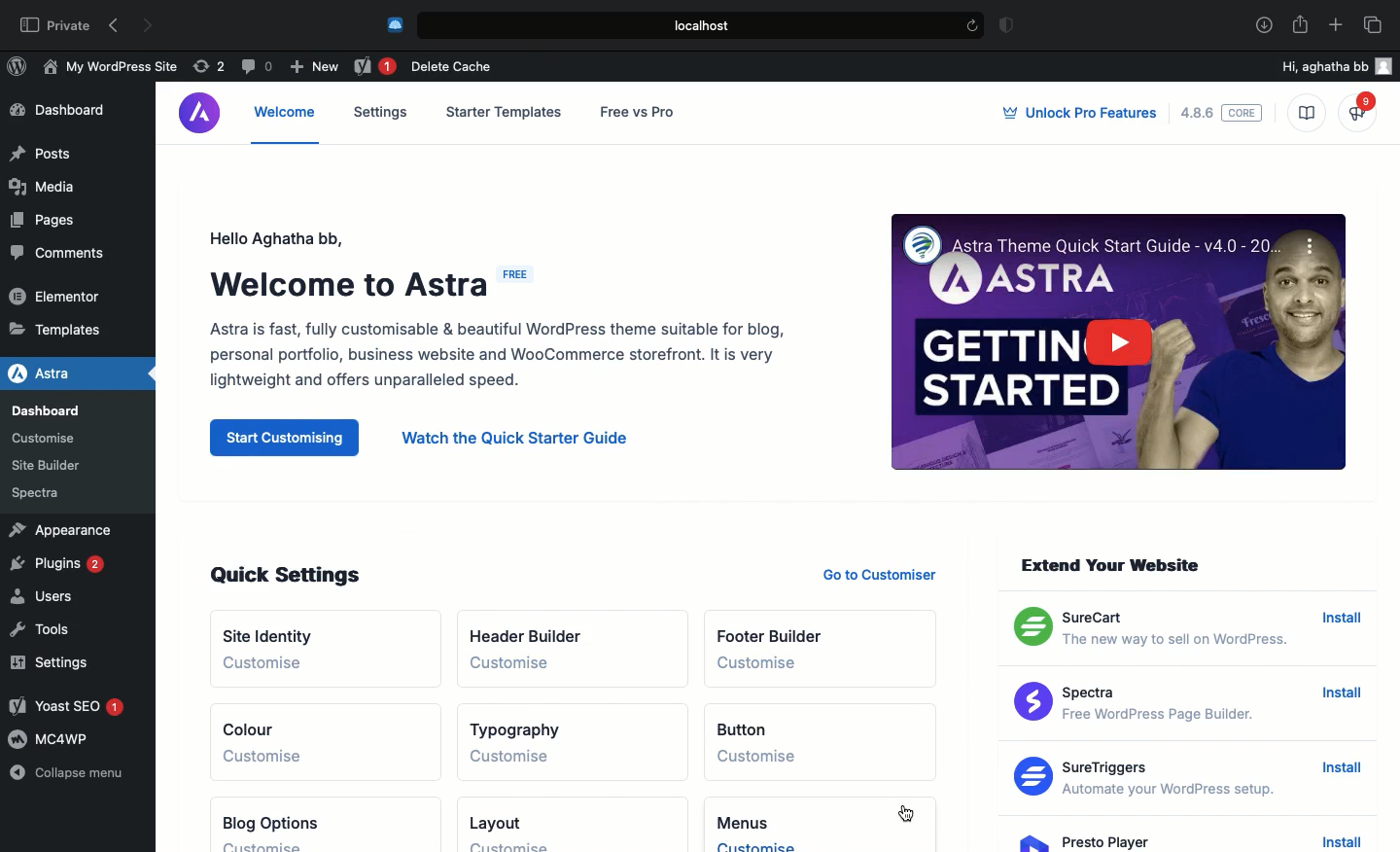 The height and width of the screenshot is (852, 1400). What do you see at coordinates (907, 818) in the screenshot?
I see `cursor` at bounding box center [907, 818].